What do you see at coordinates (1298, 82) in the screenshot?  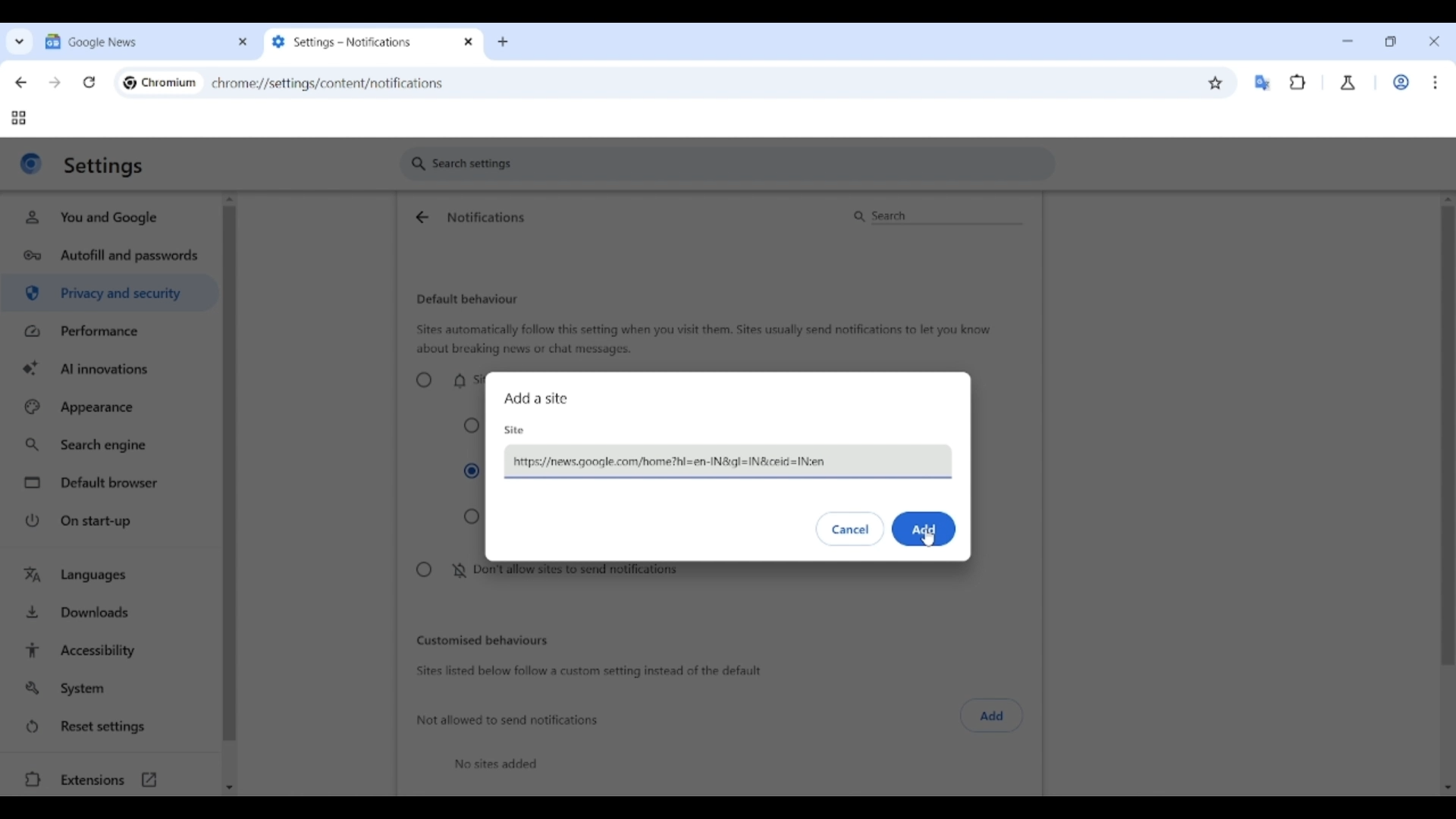 I see `Browser extensions` at bounding box center [1298, 82].